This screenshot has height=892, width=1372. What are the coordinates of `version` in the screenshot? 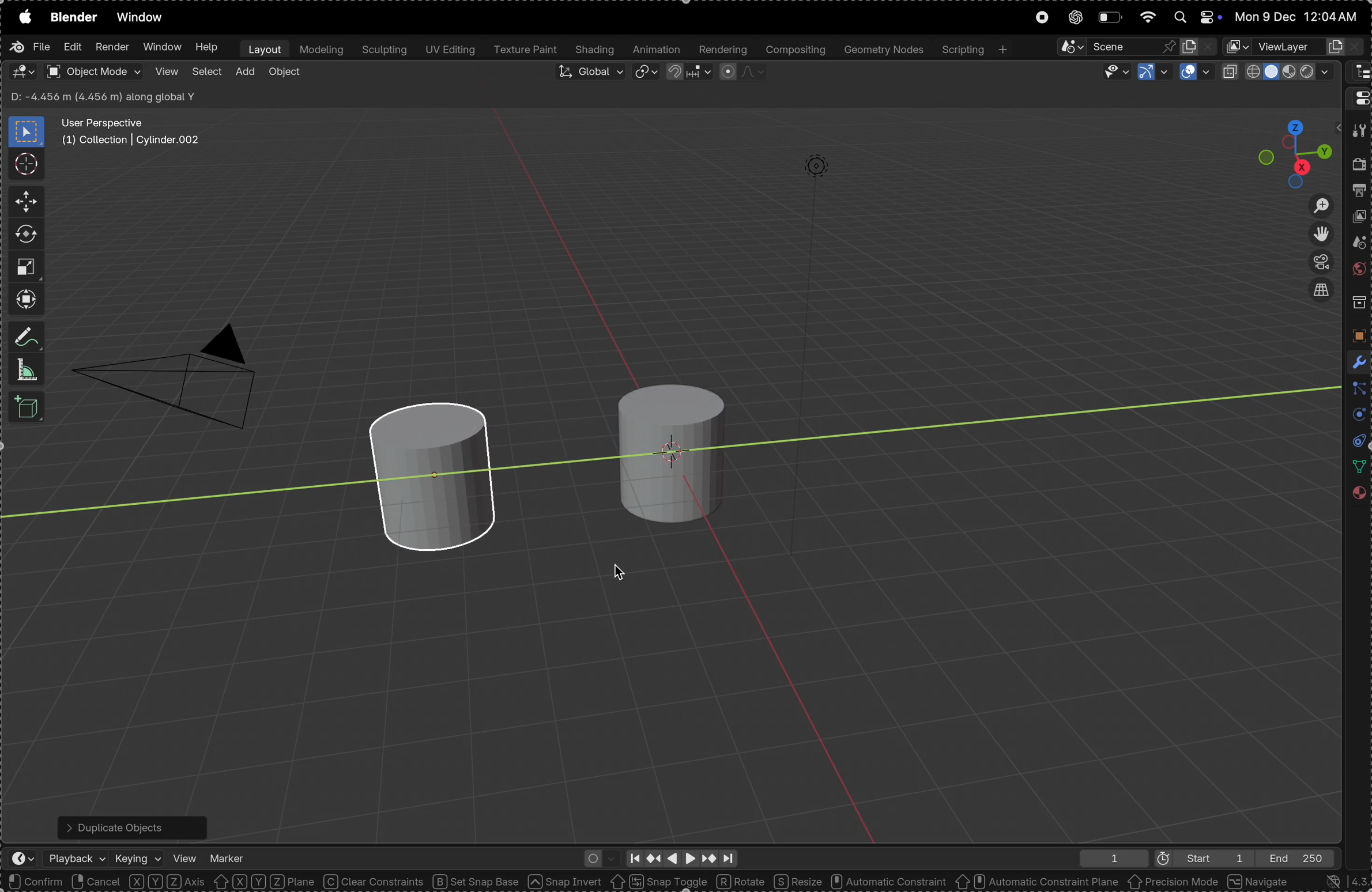 It's located at (1339, 881).